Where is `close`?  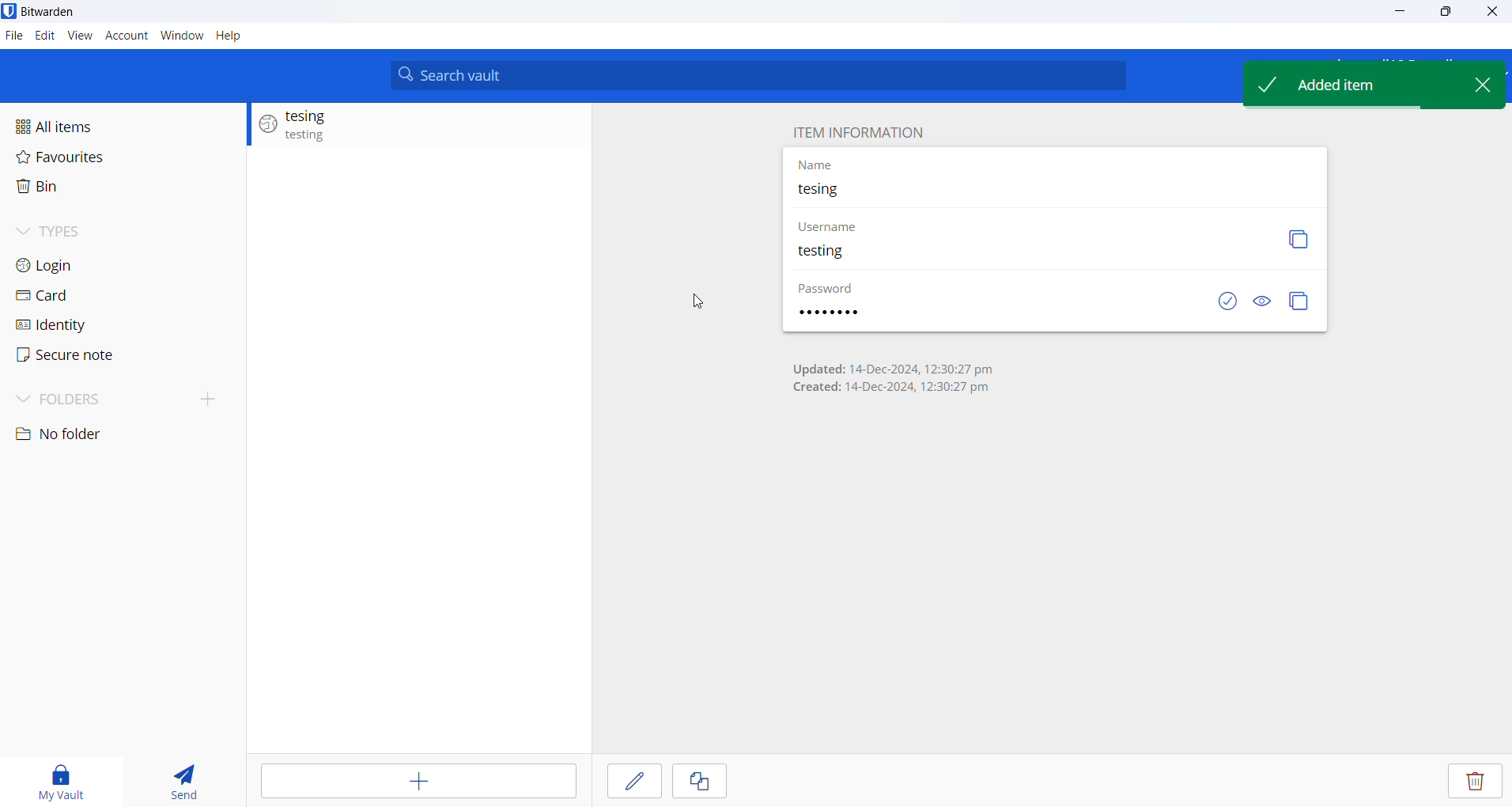
close is located at coordinates (1493, 13).